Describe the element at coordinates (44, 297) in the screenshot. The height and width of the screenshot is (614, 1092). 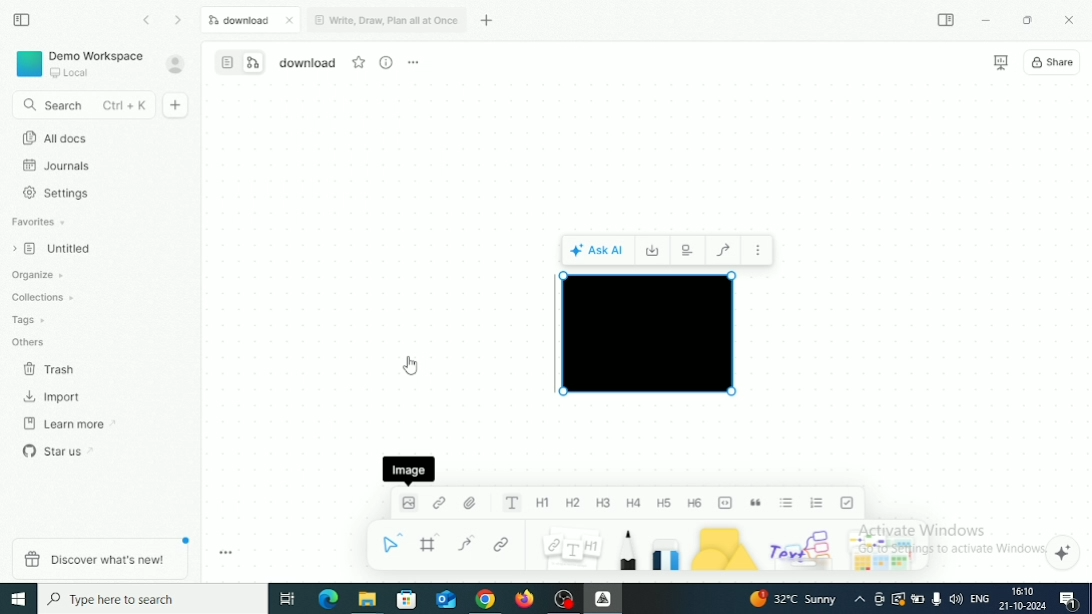
I see `Collections` at that location.